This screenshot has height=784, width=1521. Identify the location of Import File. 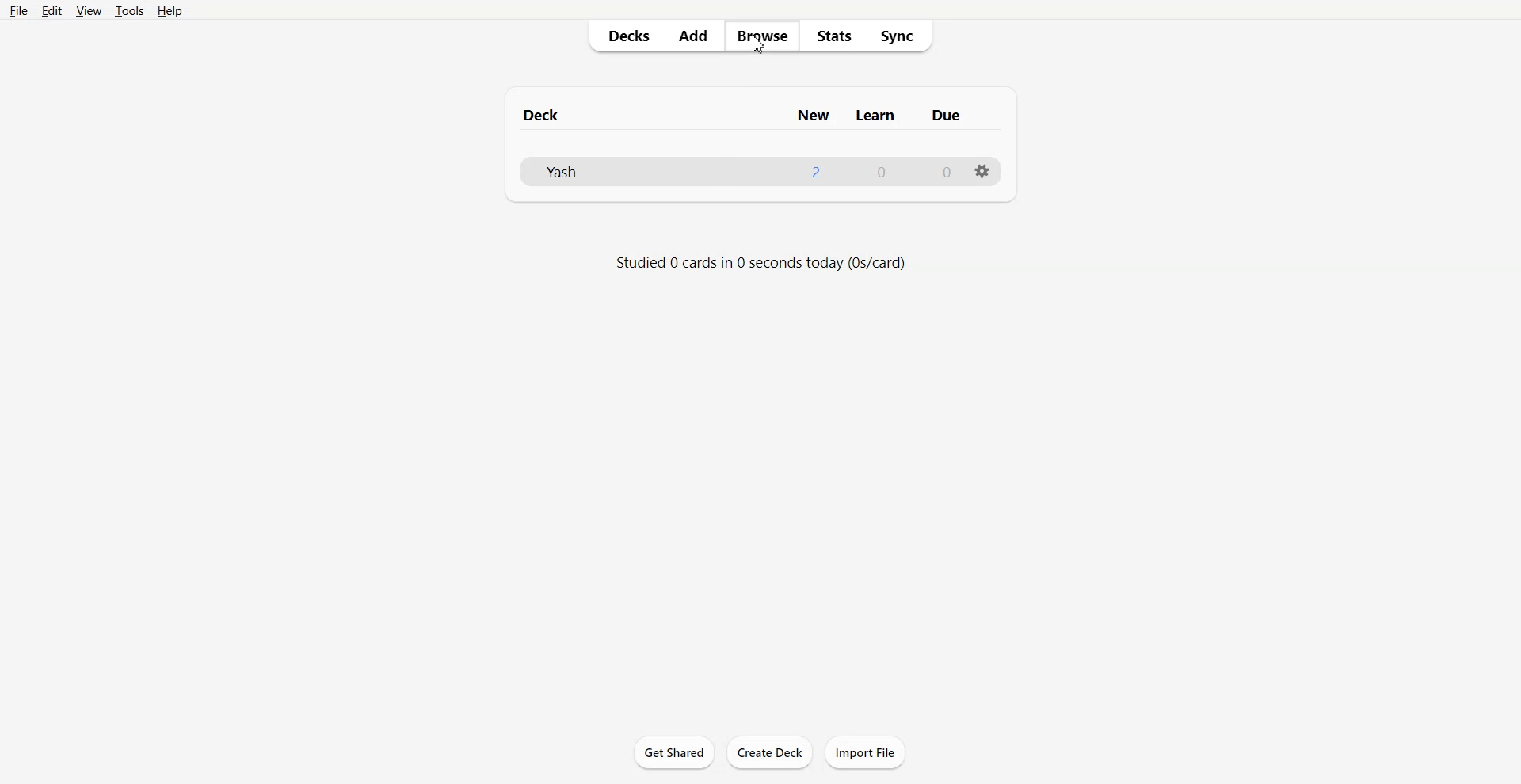
(865, 752).